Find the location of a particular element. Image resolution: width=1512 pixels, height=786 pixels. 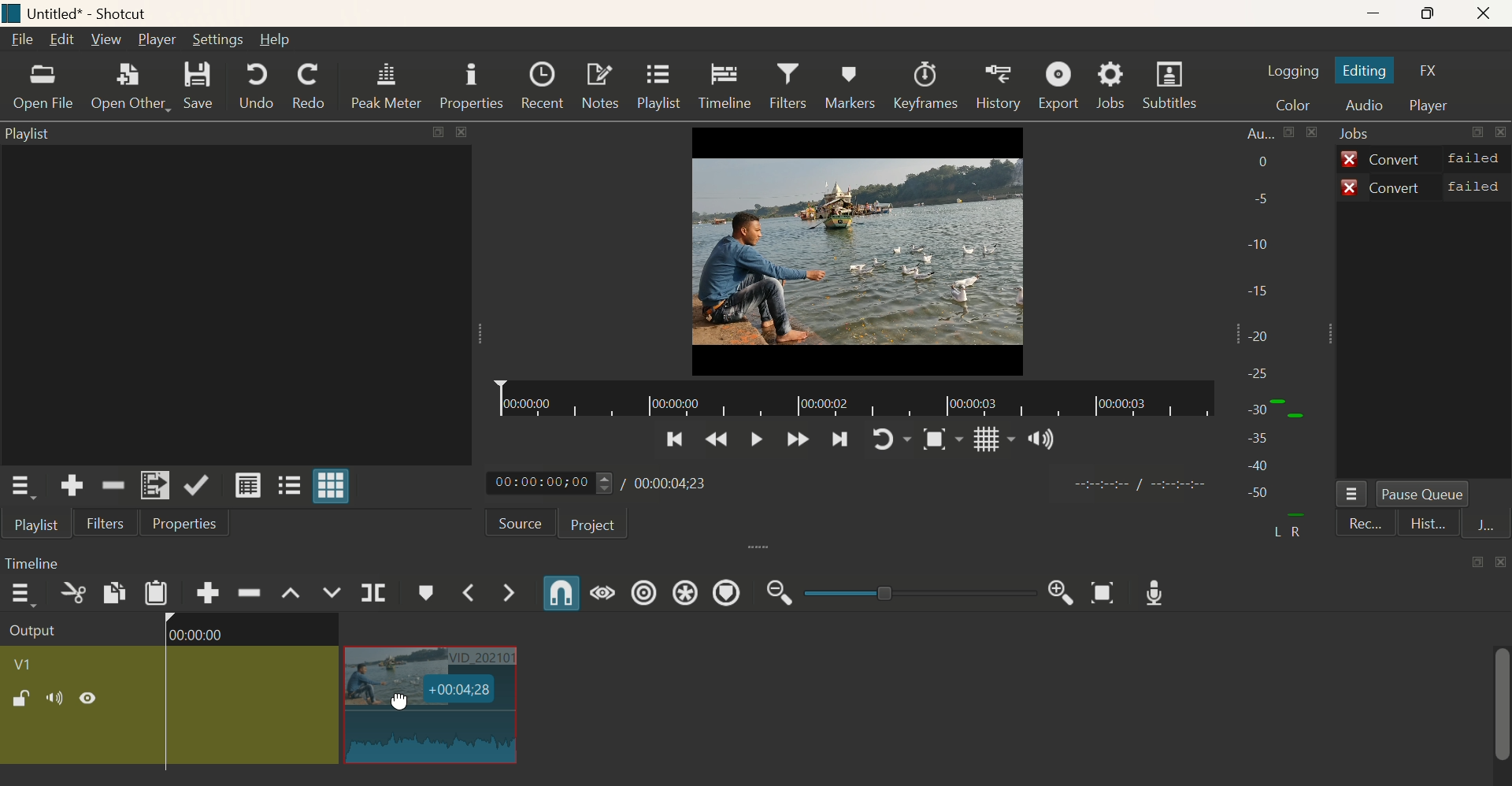

Timeline is located at coordinates (853, 400).